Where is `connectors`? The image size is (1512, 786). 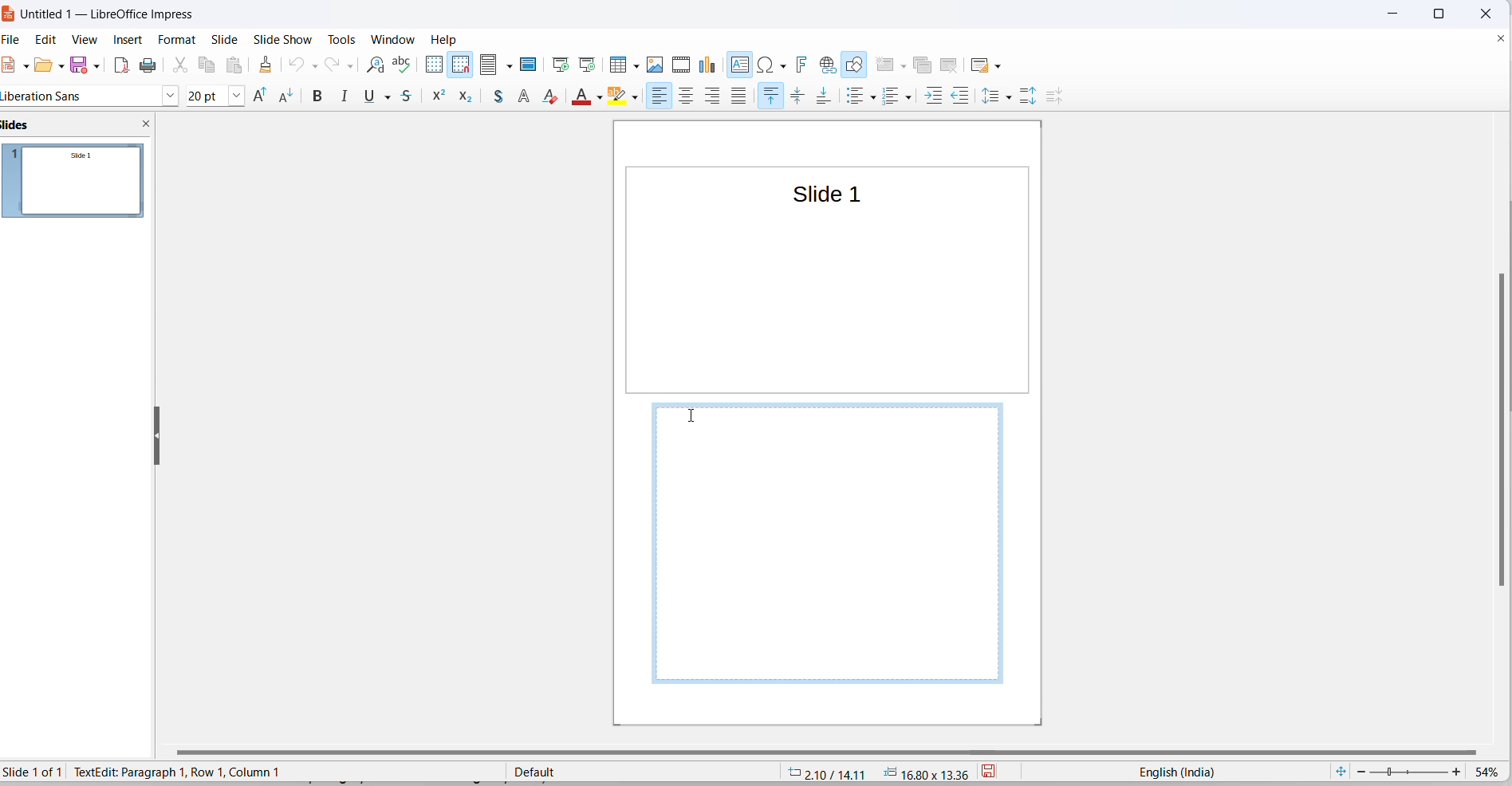 connectors is located at coordinates (303, 96).